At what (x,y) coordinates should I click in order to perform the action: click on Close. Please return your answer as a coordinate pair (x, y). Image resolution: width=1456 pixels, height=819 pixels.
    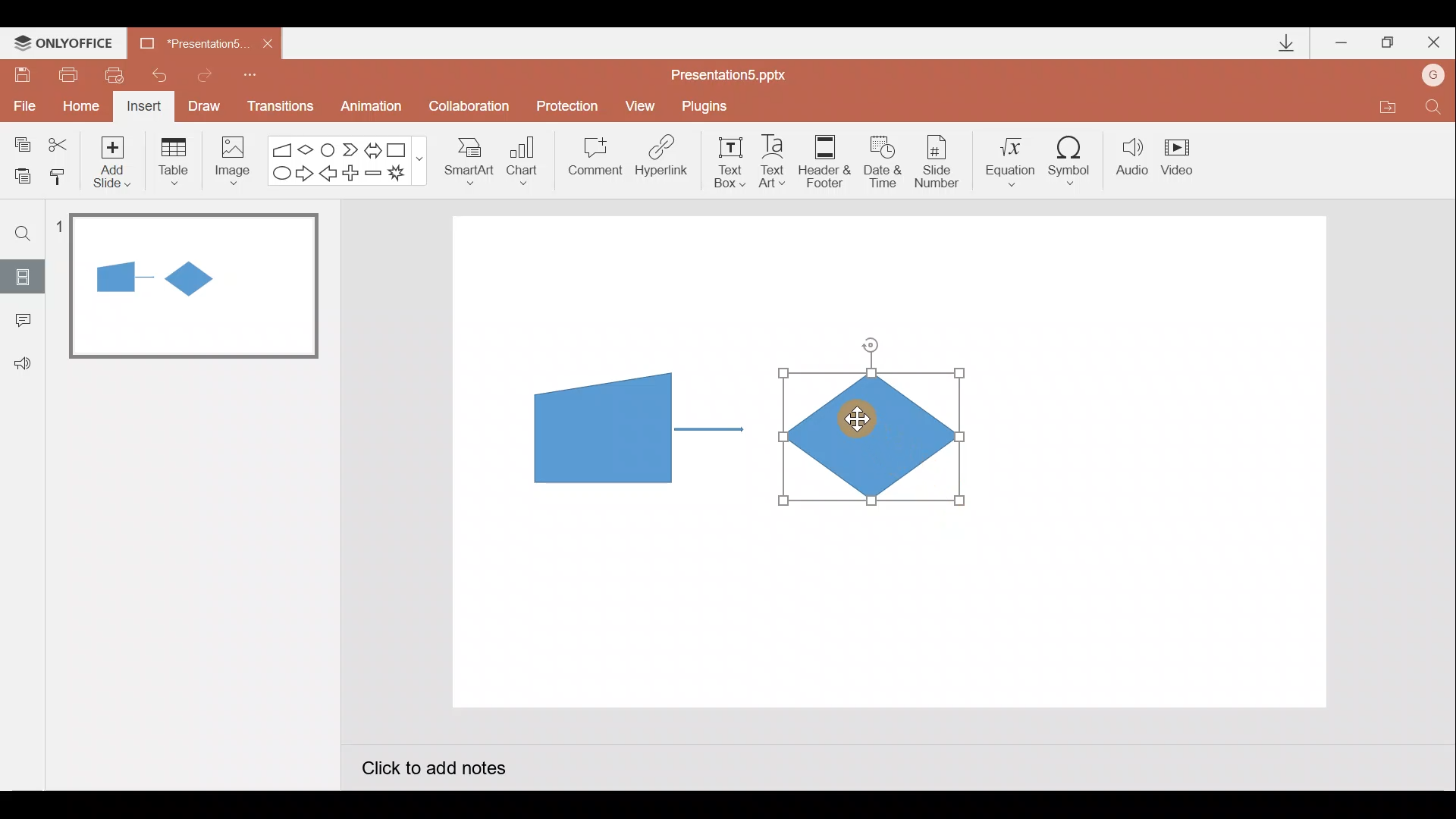
    Looking at the image, I should click on (268, 44).